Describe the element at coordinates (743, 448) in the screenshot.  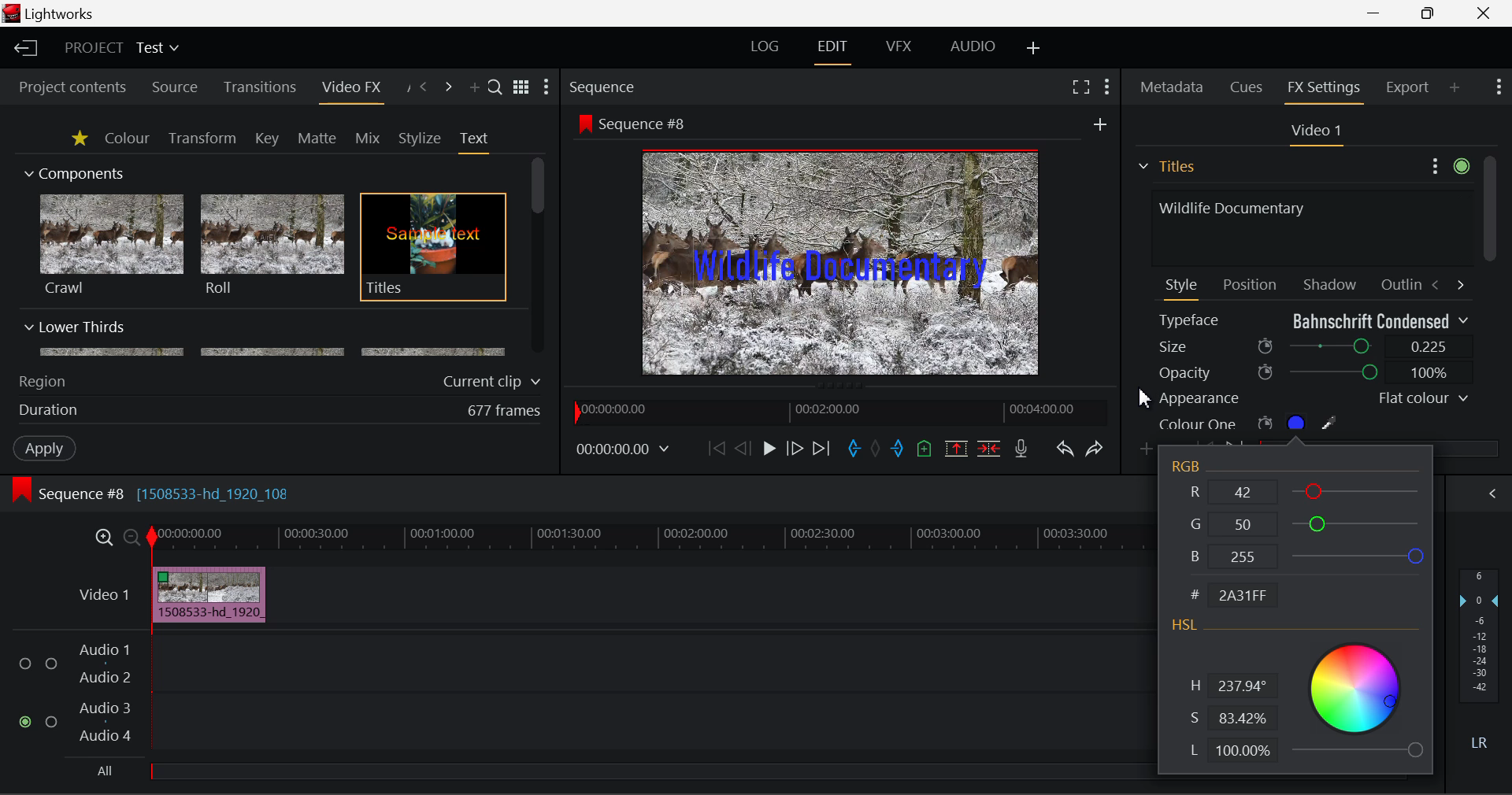
I see `Go Back` at that location.